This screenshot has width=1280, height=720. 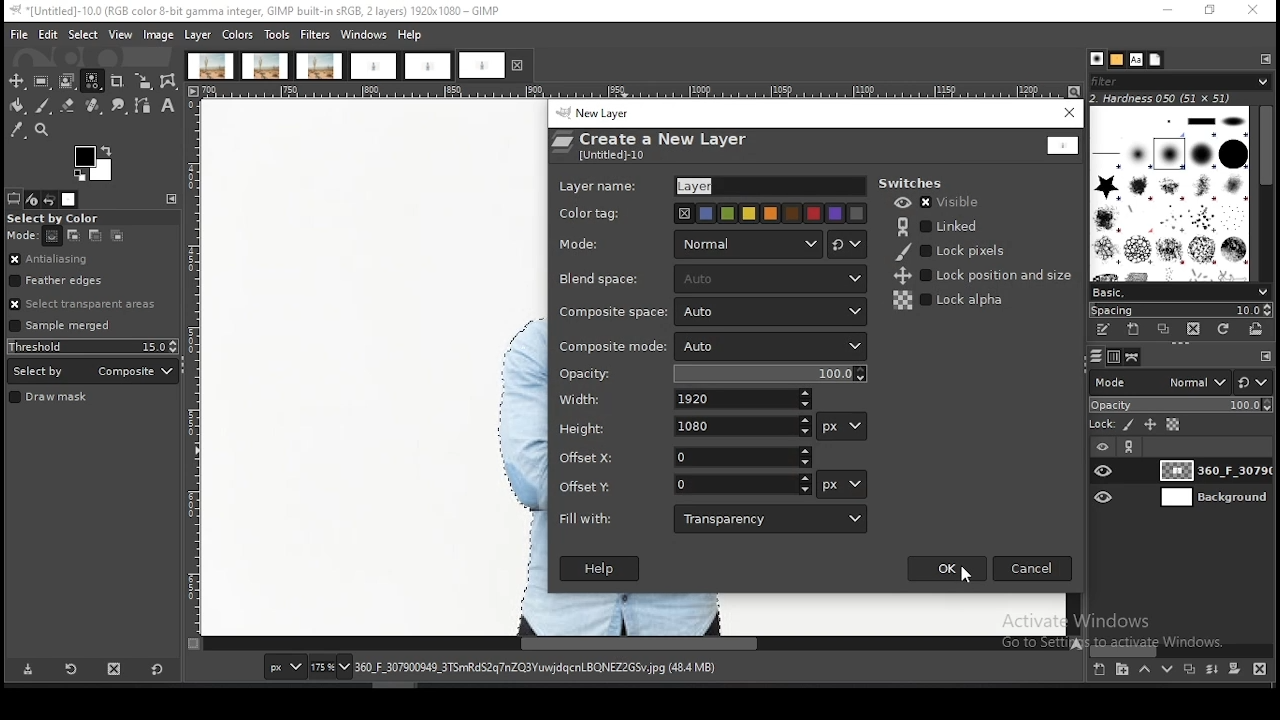 What do you see at coordinates (60, 327) in the screenshot?
I see `sample merged` at bounding box center [60, 327].